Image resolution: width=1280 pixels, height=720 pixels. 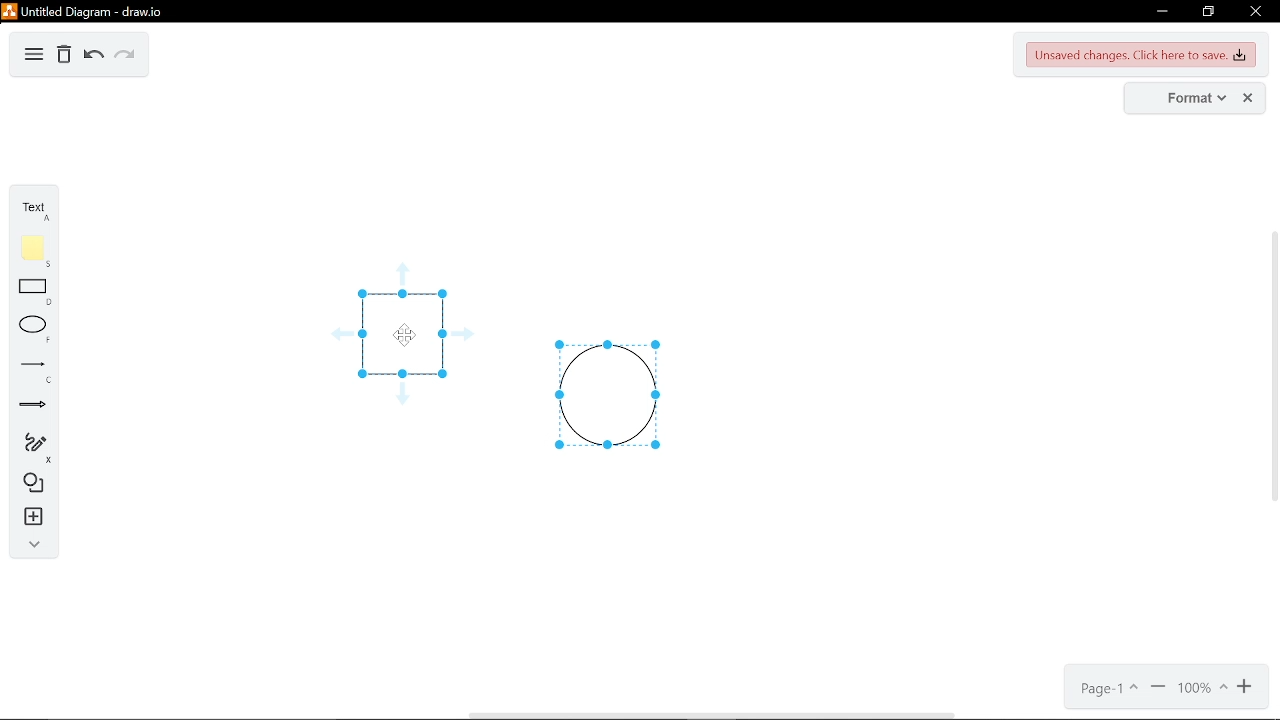 I want to click on ellipse, so click(x=30, y=332).